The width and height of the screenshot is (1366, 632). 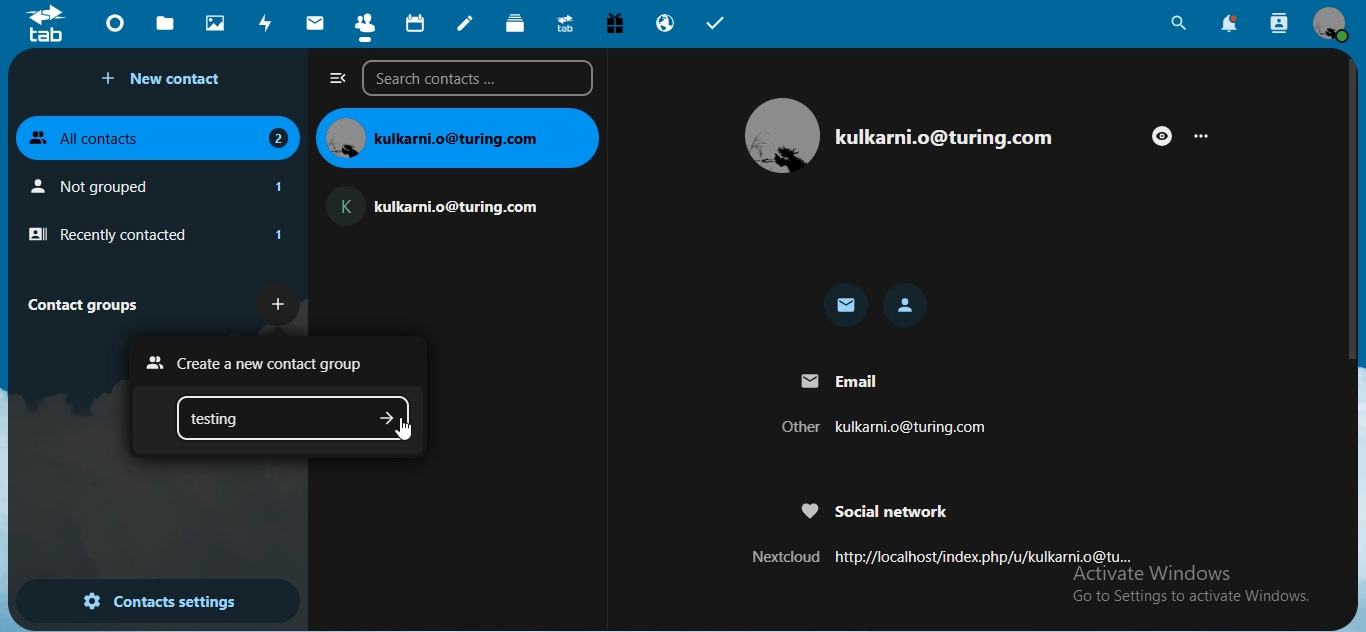 What do you see at coordinates (466, 23) in the screenshot?
I see `notes` at bounding box center [466, 23].